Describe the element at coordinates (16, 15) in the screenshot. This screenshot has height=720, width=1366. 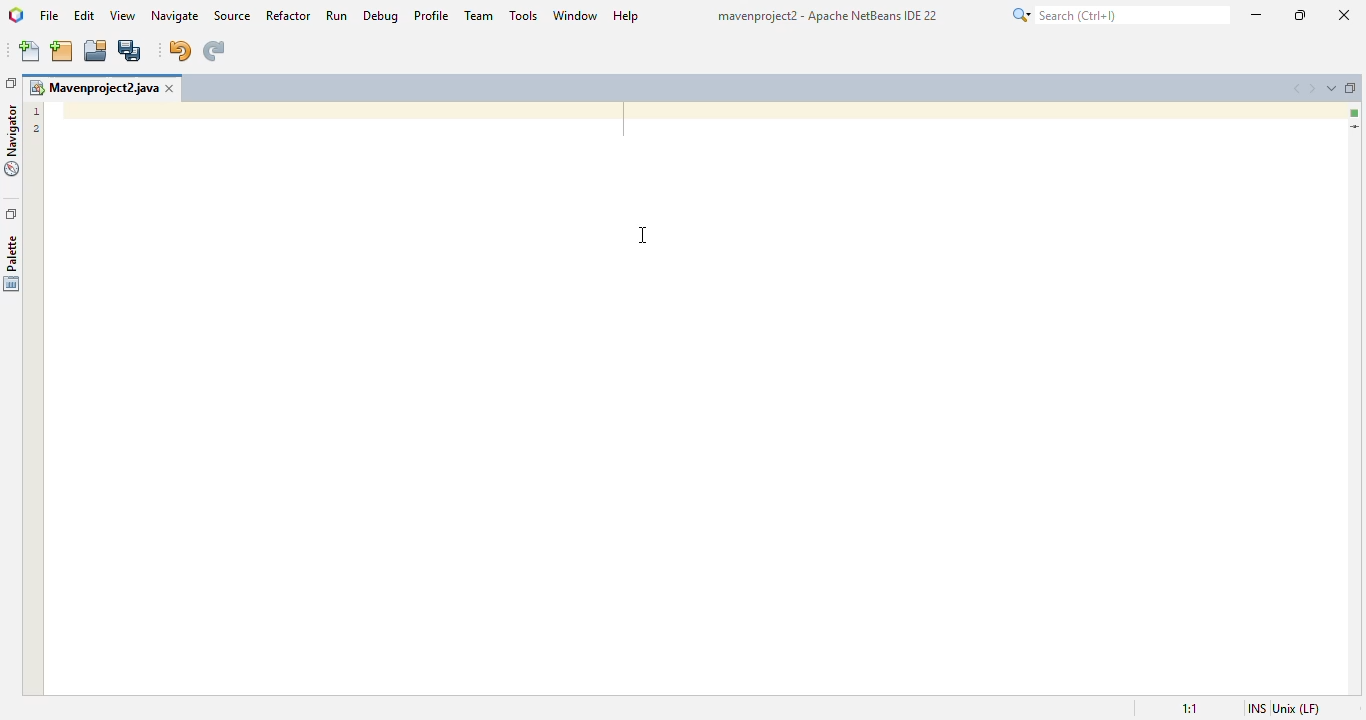
I see `logo` at that location.